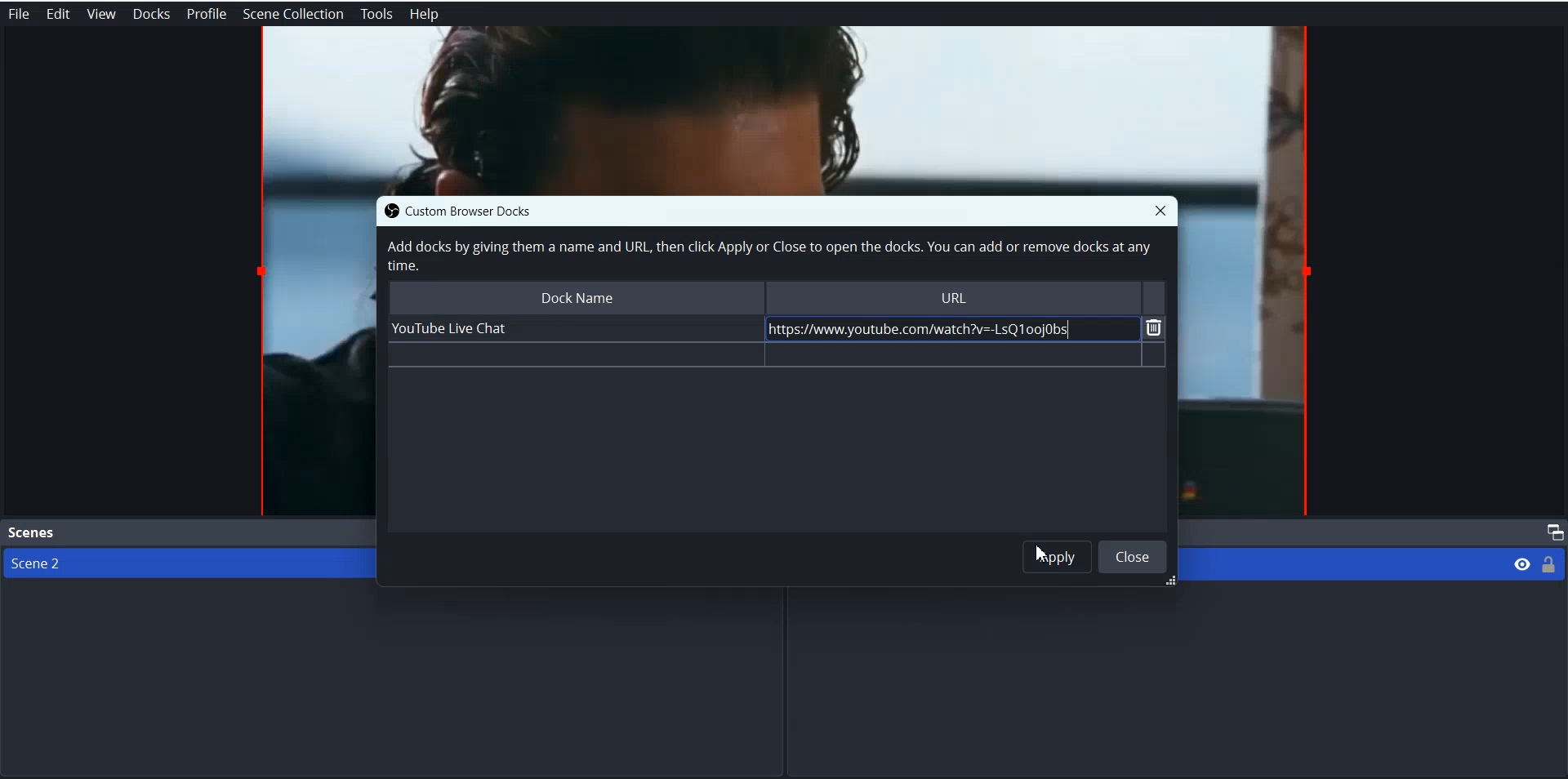 The height and width of the screenshot is (779, 1568). What do you see at coordinates (151, 14) in the screenshot?
I see `Docks` at bounding box center [151, 14].